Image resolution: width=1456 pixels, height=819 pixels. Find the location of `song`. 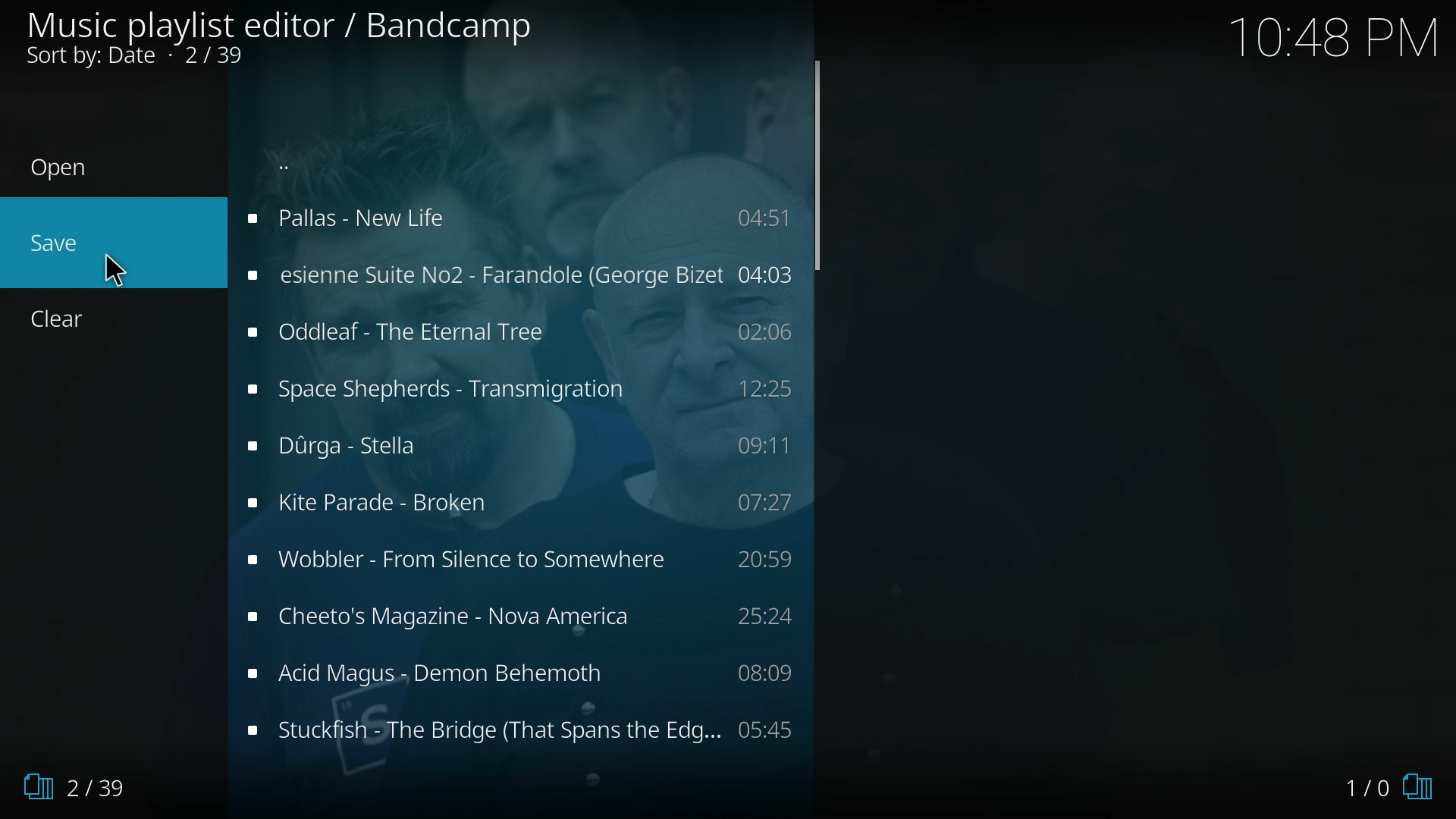

song is located at coordinates (516, 391).